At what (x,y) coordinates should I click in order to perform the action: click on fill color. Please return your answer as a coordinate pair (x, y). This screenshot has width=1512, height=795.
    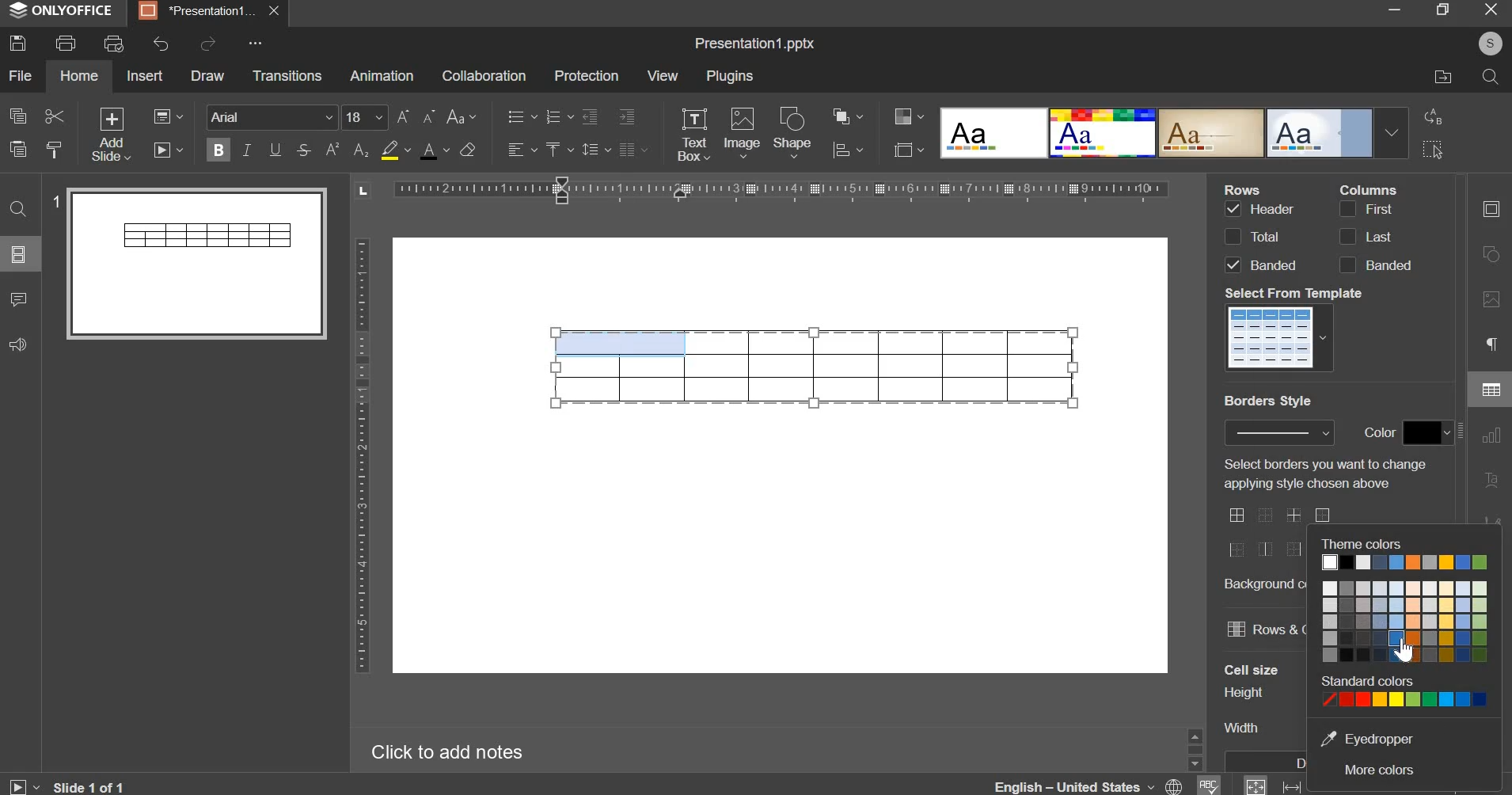
    Looking at the image, I should click on (394, 150).